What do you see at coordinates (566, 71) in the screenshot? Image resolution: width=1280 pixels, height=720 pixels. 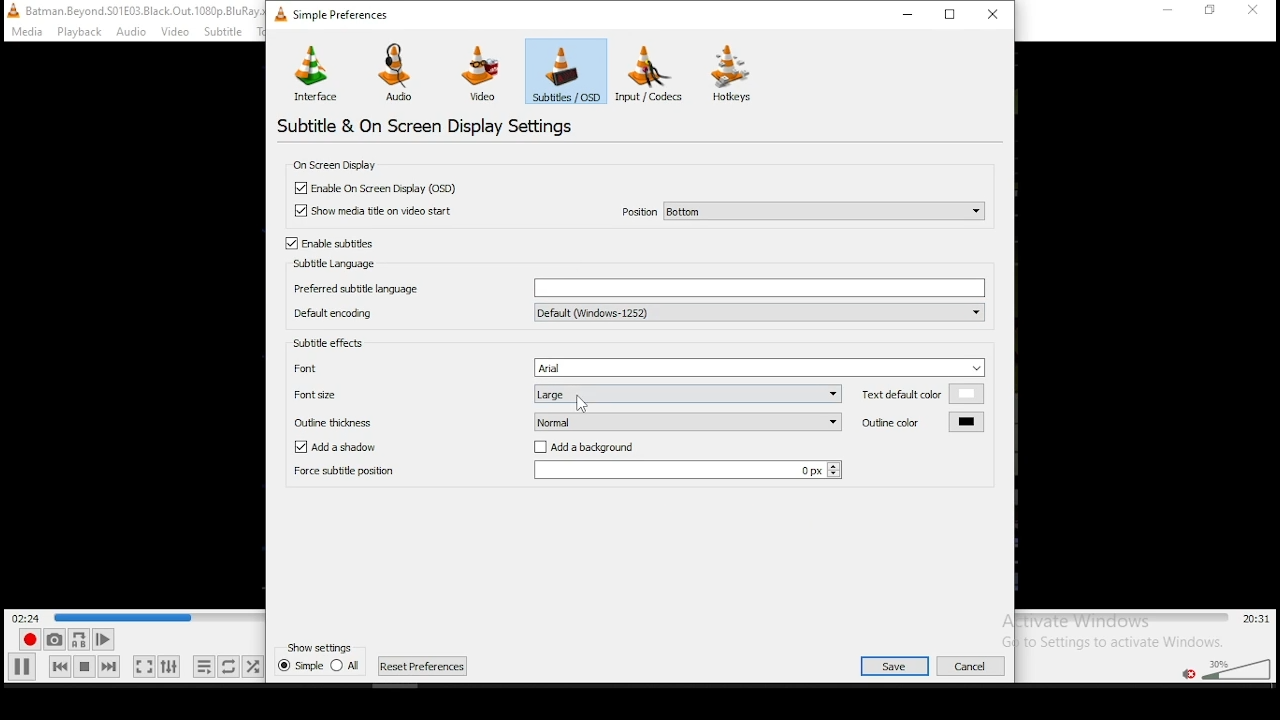 I see `subtitles/osd` at bounding box center [566, 71].